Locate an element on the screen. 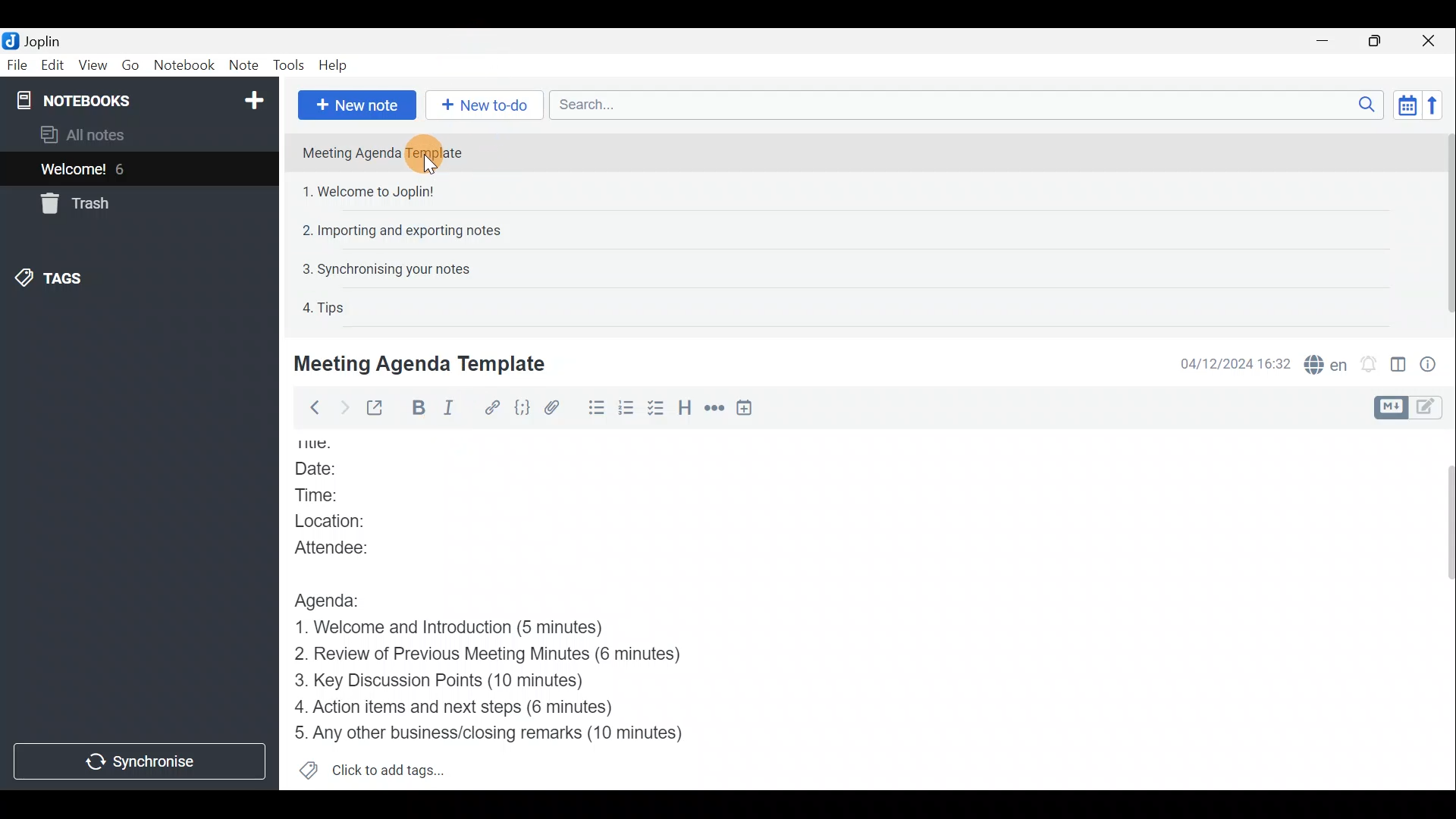 The height and width of the screenshot is (819, 1456). Go is located at coordinates (131, 64).